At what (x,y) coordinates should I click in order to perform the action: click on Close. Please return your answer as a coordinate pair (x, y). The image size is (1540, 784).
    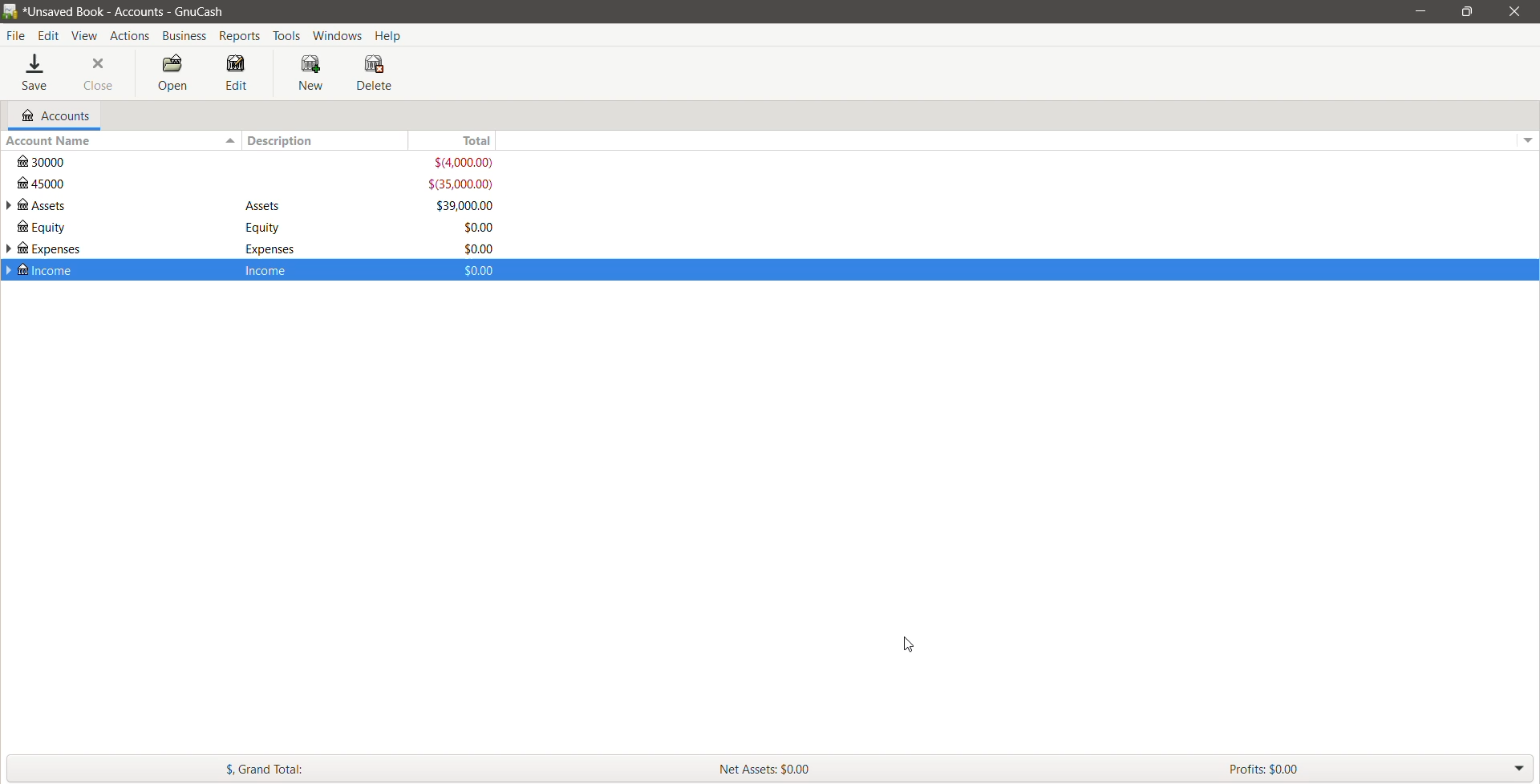
    Looking at the image, I should click on (99, 74).